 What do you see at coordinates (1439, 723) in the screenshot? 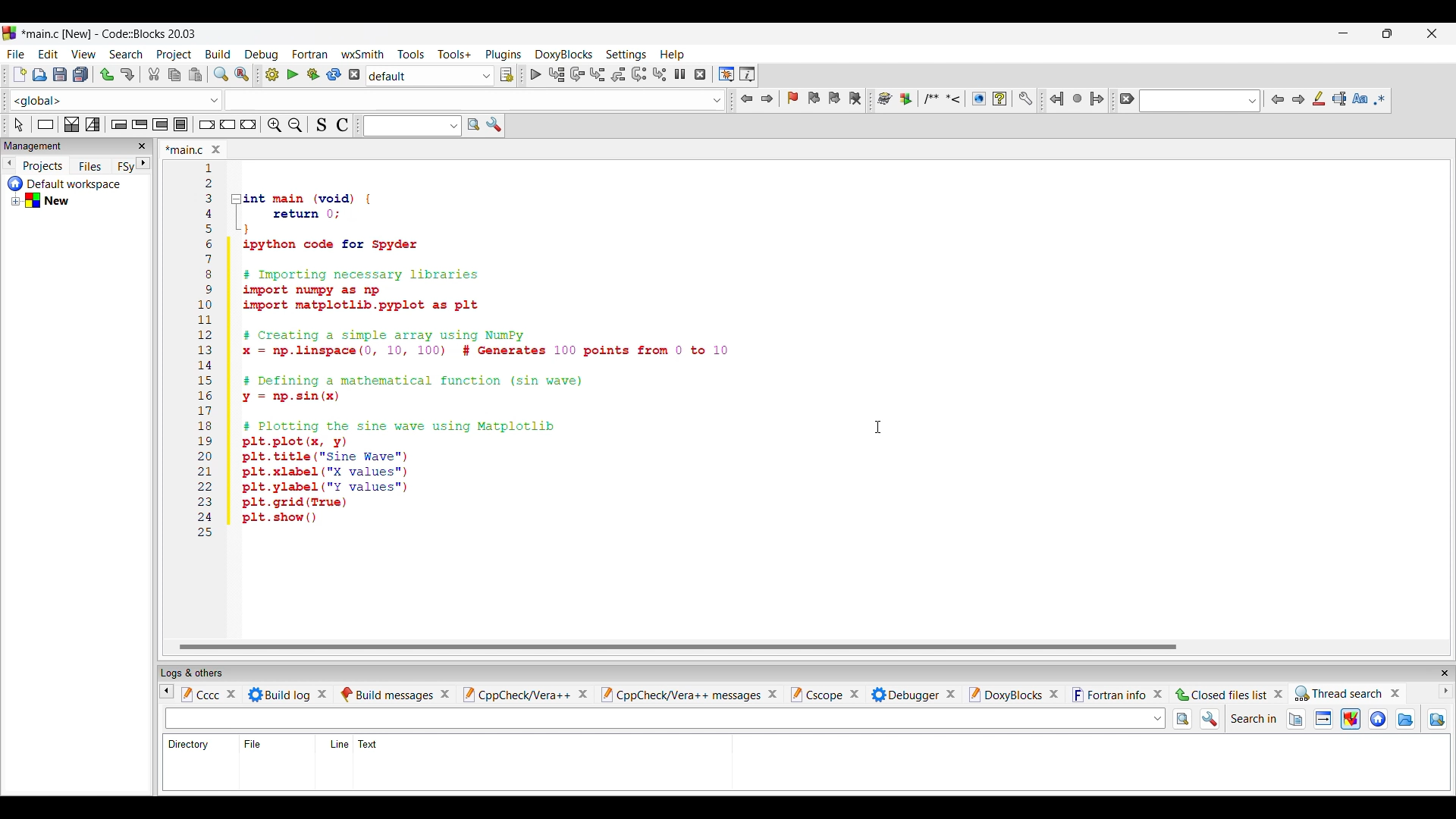
I see `search folder` at bounding box center [1439, 723].